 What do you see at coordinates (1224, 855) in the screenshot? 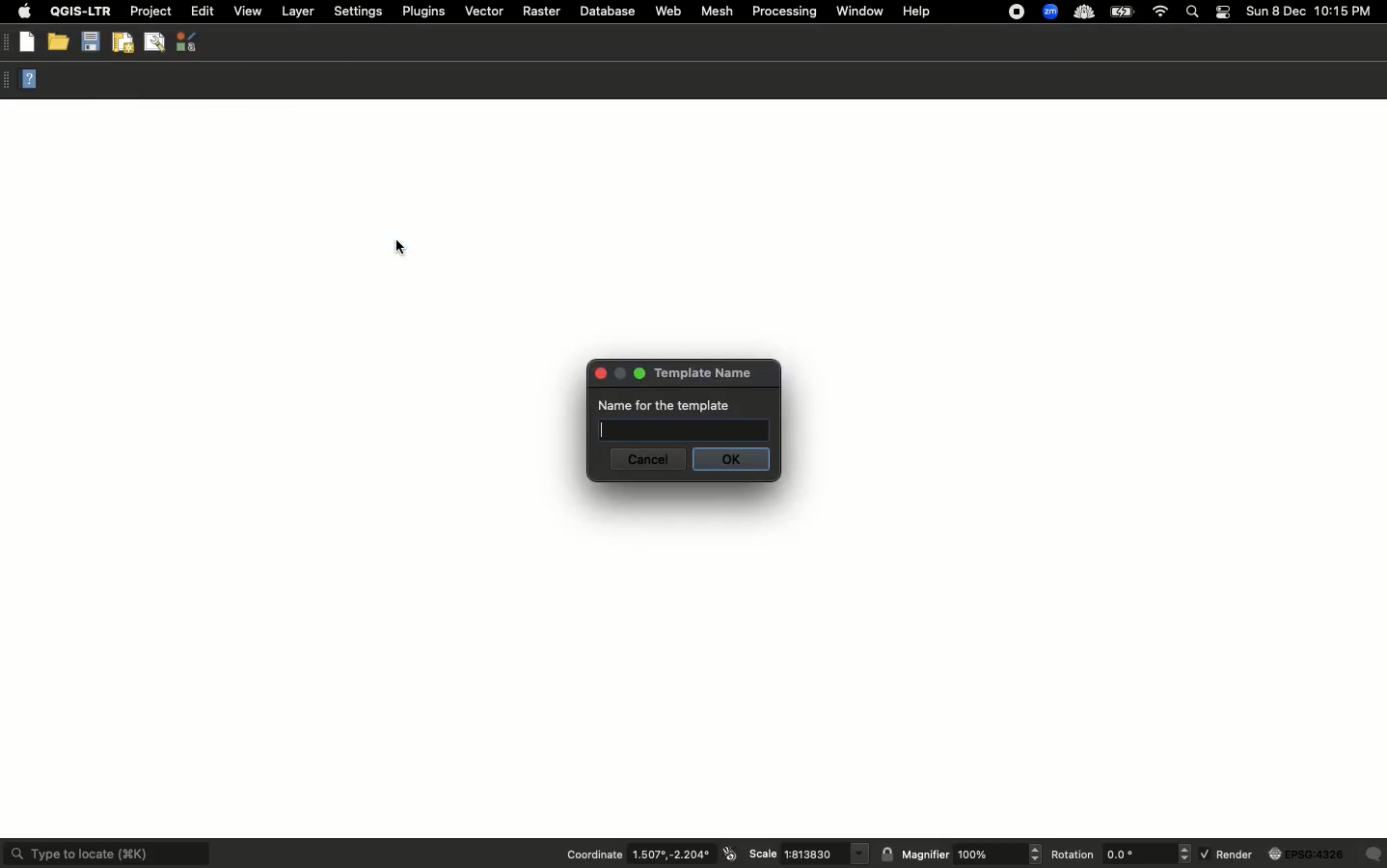
I see `Render` at bounding box center [1224, 855].